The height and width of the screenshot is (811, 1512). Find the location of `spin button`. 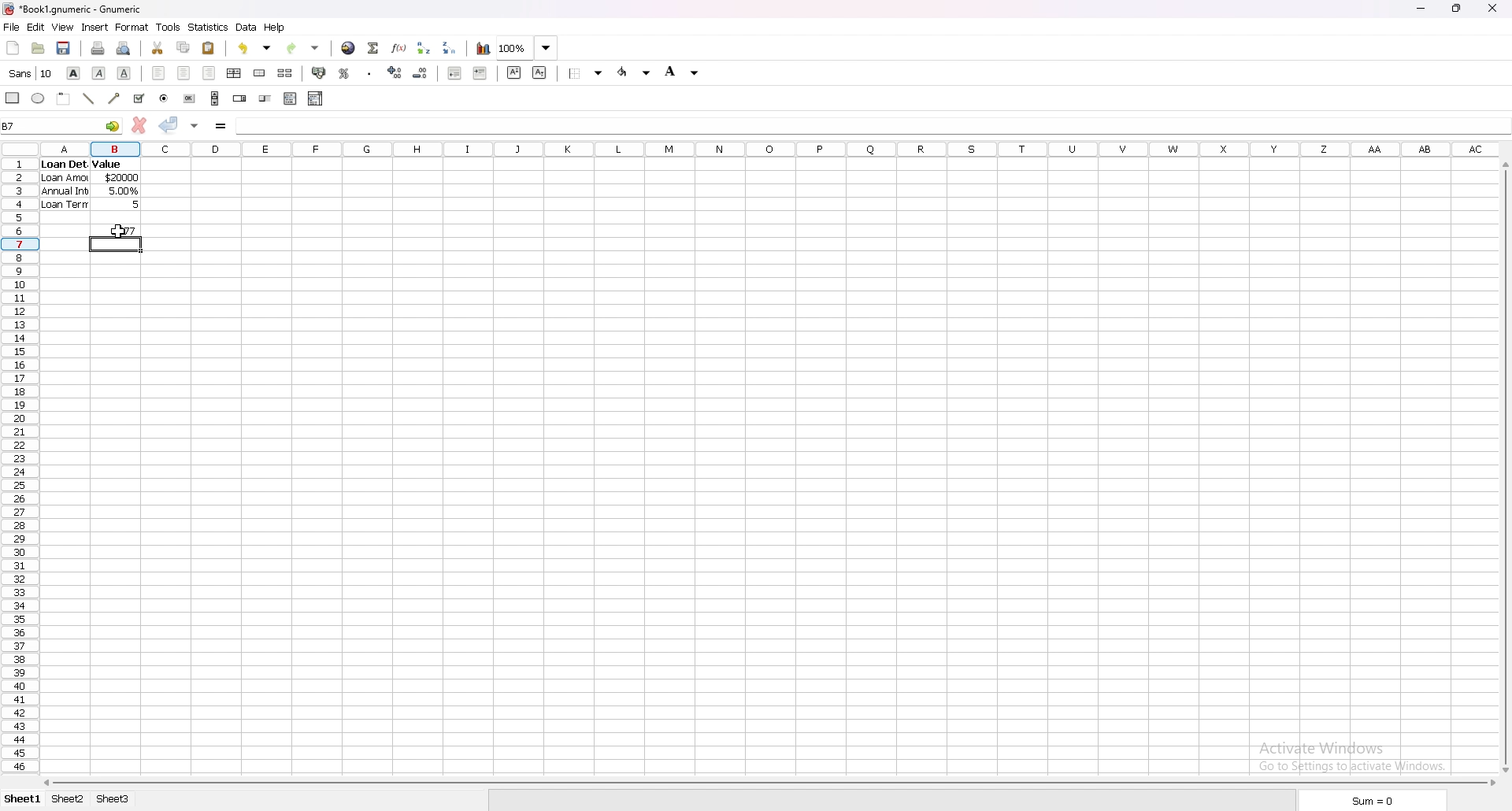

spin button is located at coordinates (240, 98).